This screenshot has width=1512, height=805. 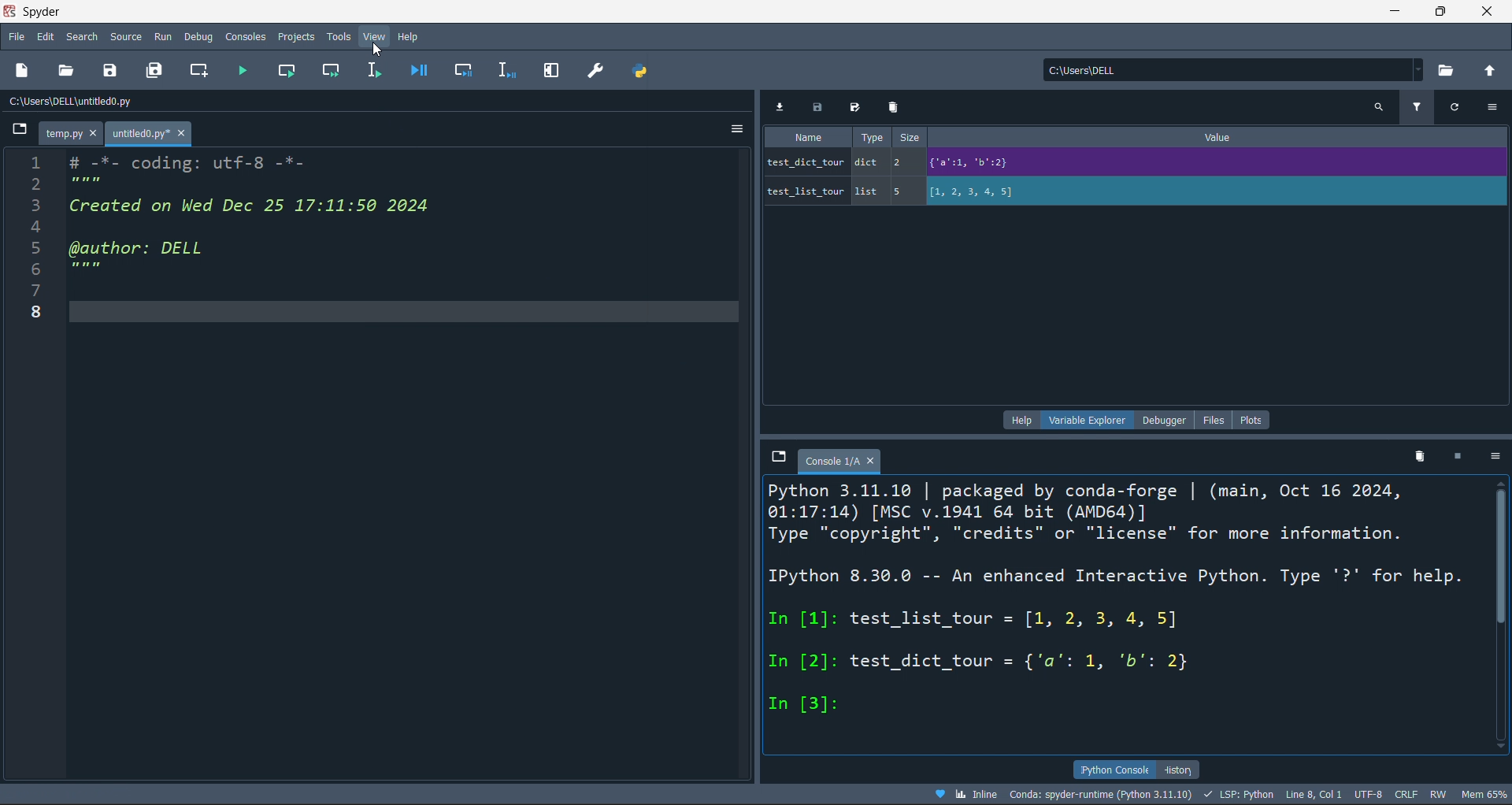 What do you see at coordinates (817, 107) in the screenshot?
I see `save` at bounding box center [817, 107].